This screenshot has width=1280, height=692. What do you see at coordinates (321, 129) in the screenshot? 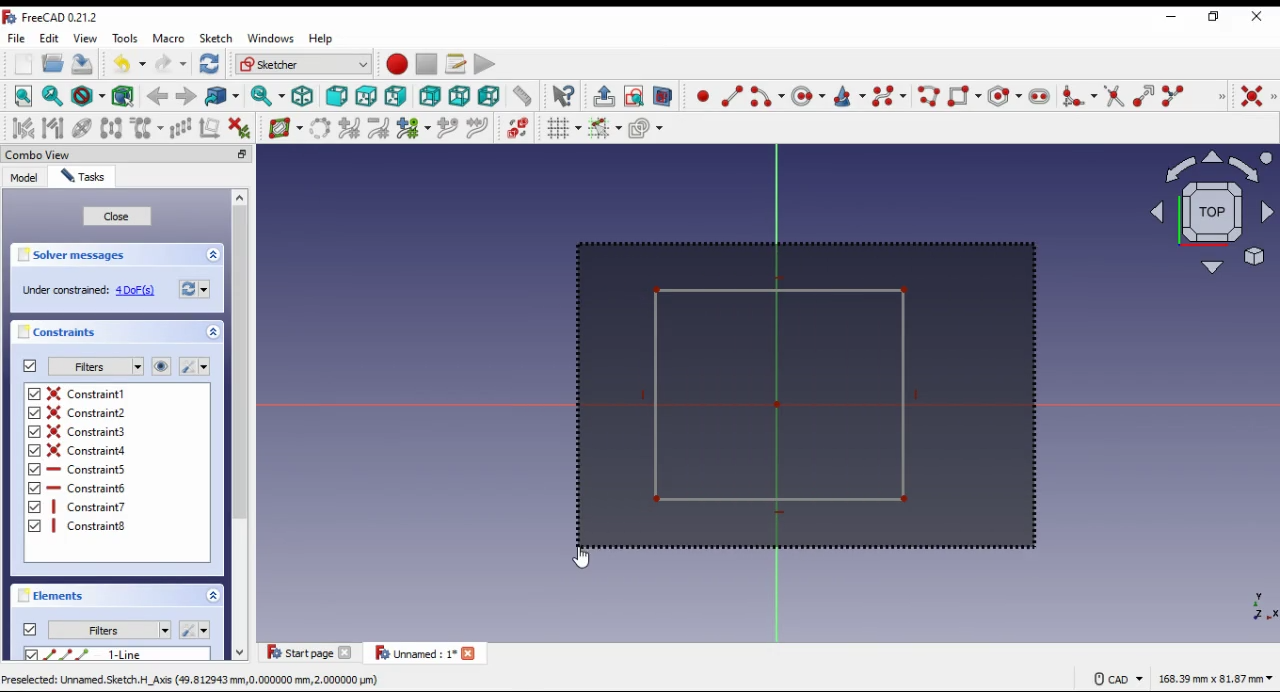
I see `convert geometry to bspline` at bounding box center [321, 129].